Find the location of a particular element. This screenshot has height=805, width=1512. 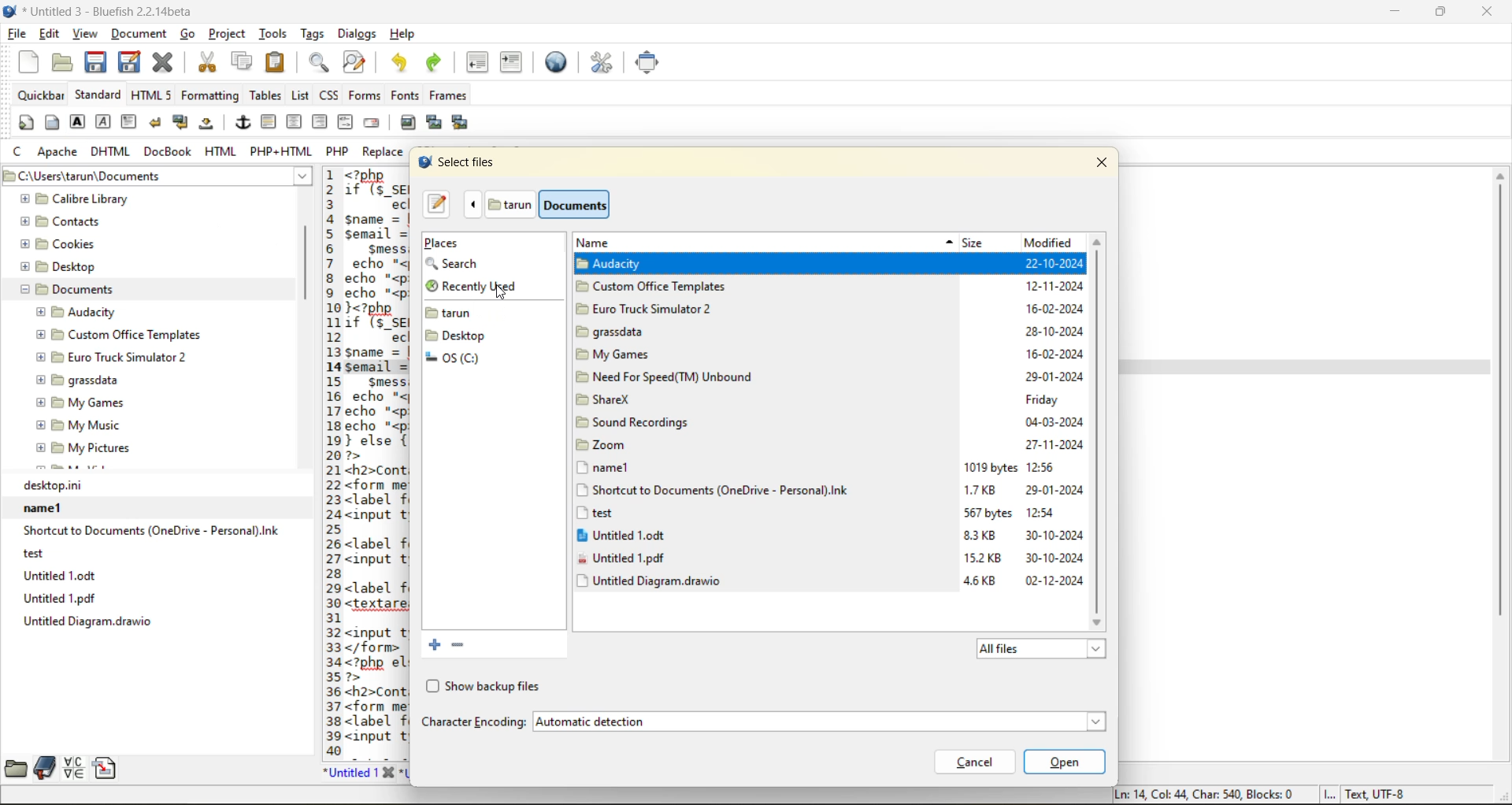

Shortcut to Documents (OneDrive - Personal).lnk is located at coordinates (150, 531).